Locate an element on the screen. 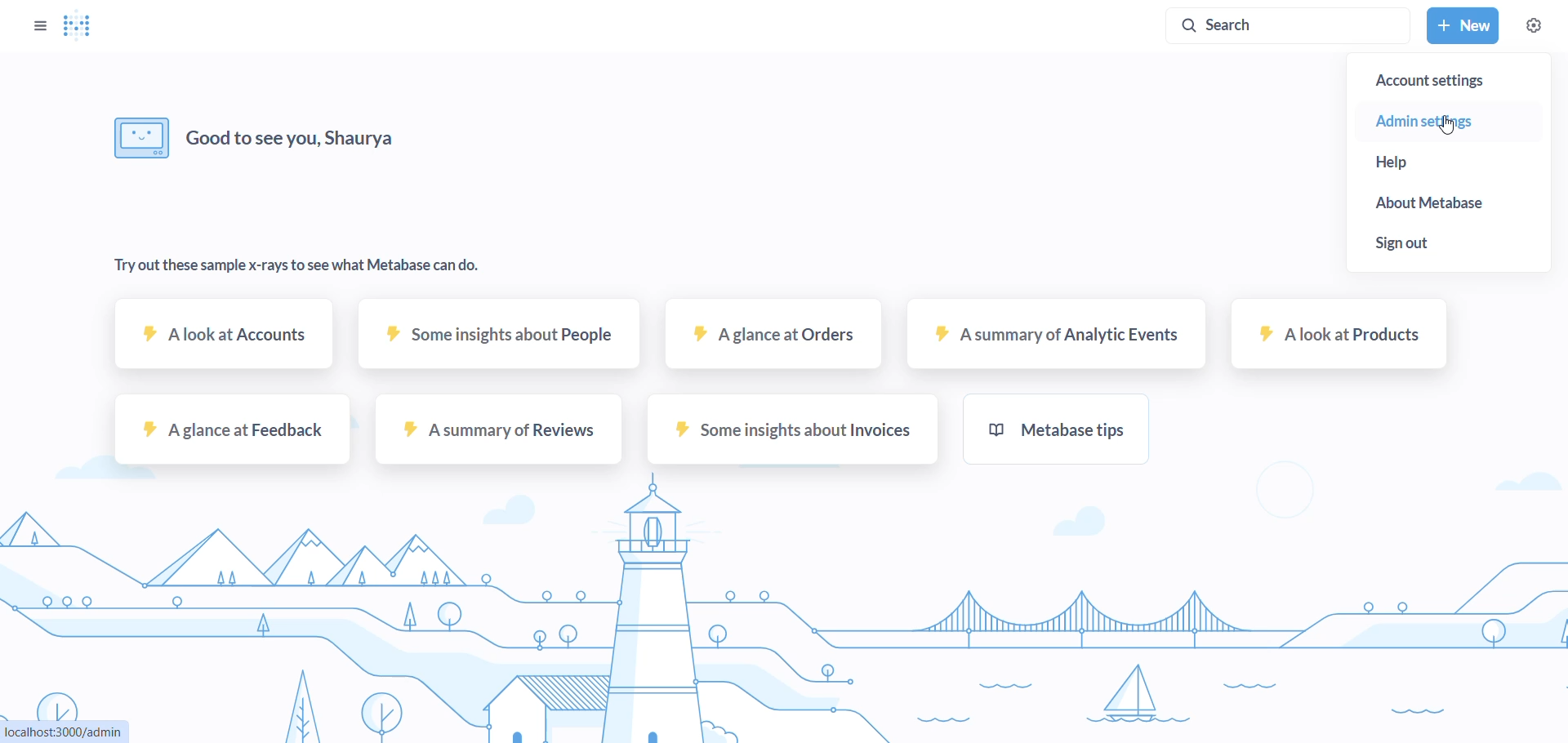  admin settings is located at coordinates (1444, 120).